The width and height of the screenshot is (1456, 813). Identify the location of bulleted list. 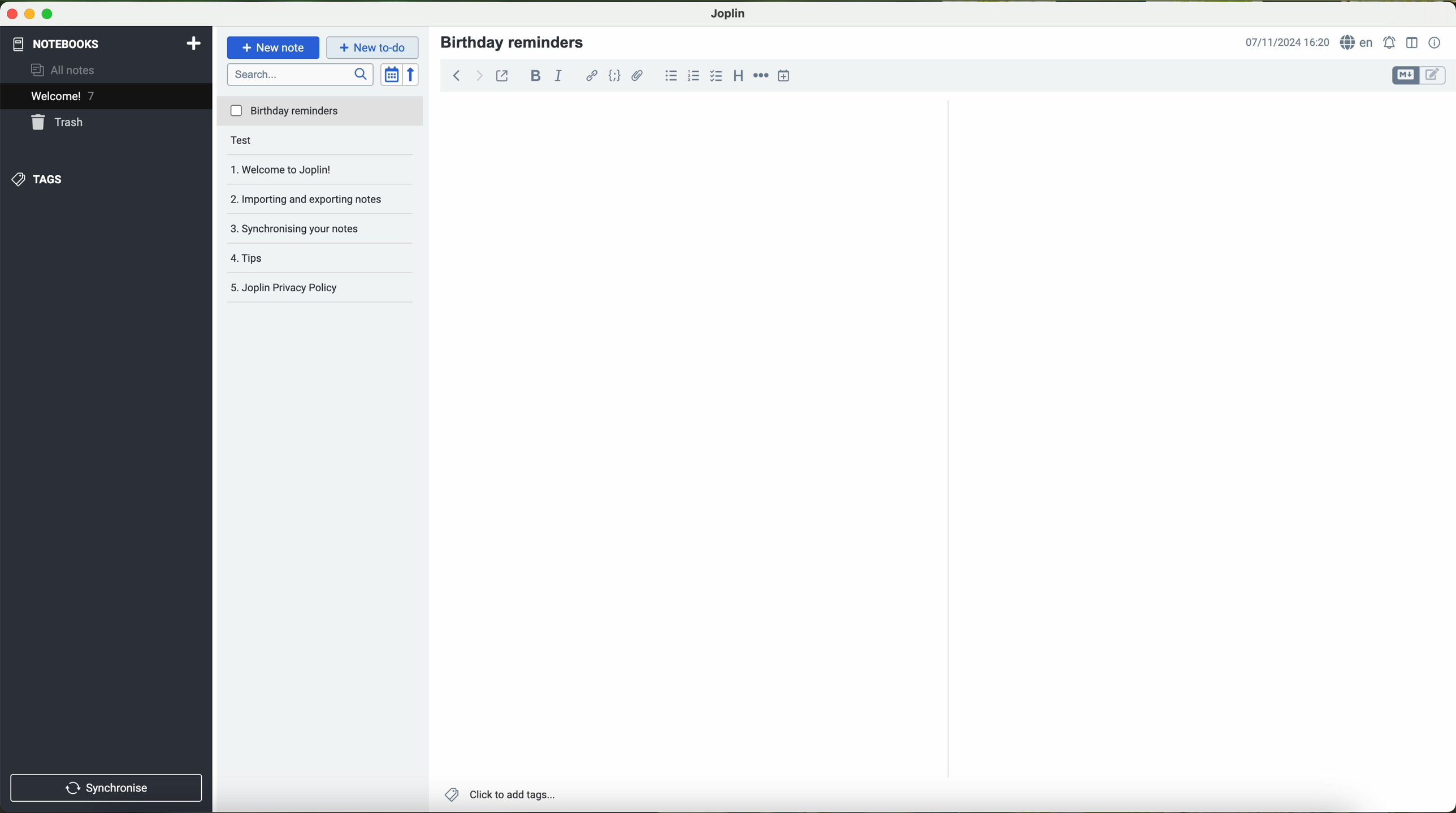
(672, 75).